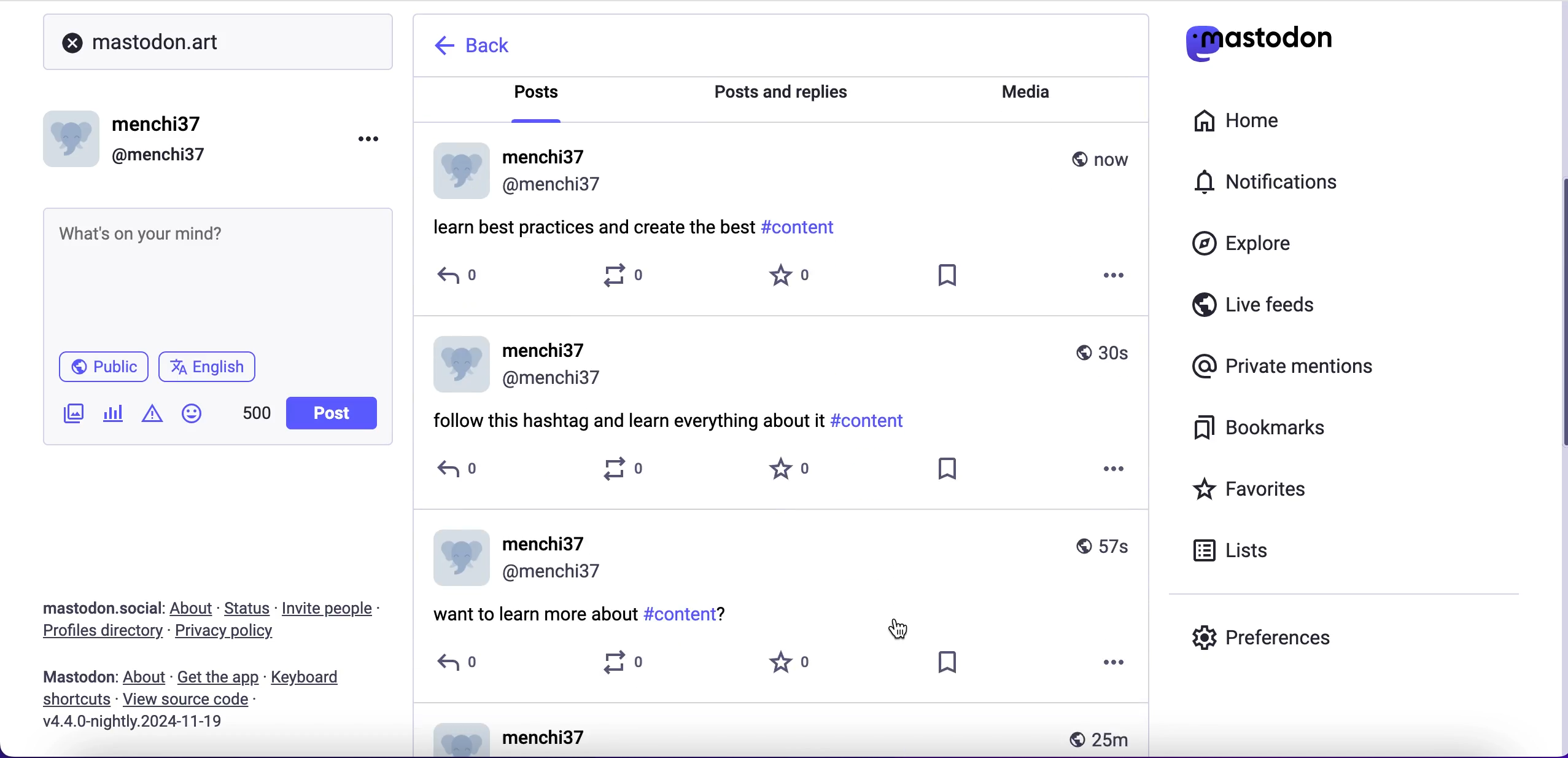  What do you see at coordinates (554, 170) in the screenshot?
I see `user` at bounding box center [554, 170].